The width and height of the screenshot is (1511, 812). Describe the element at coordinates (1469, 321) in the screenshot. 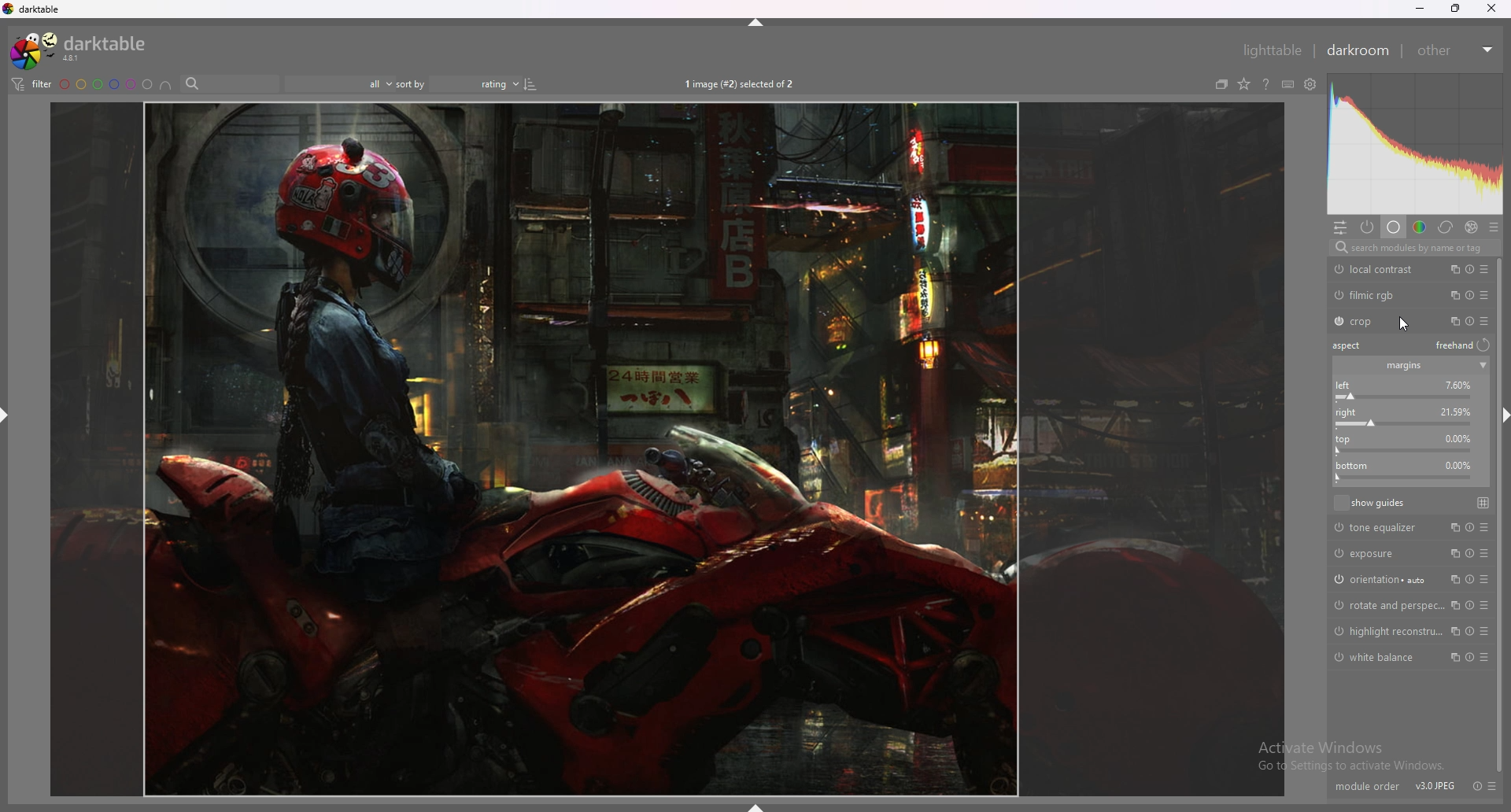

I see `reset` at that location.